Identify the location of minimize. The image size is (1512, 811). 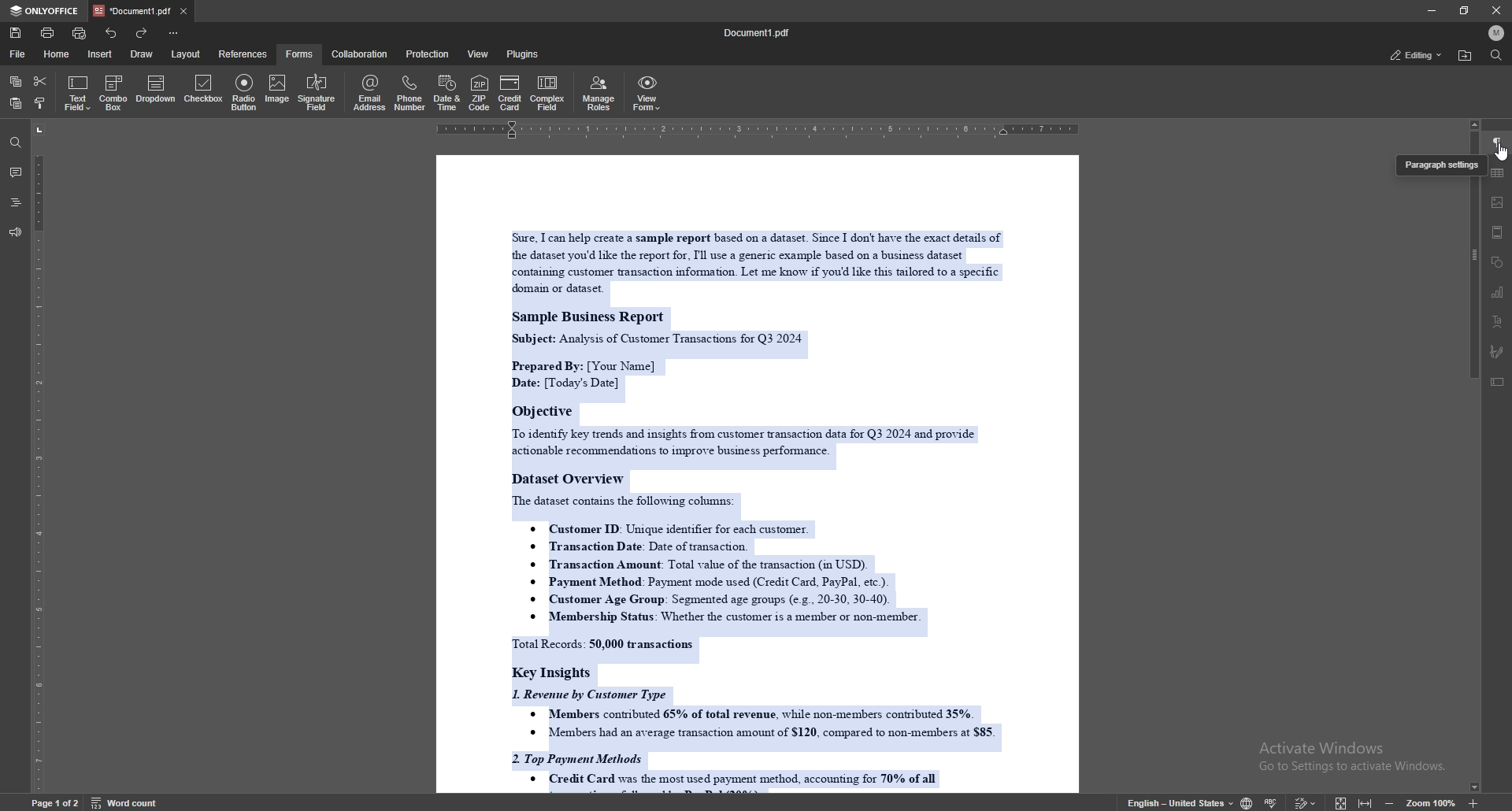
(1431, 10).